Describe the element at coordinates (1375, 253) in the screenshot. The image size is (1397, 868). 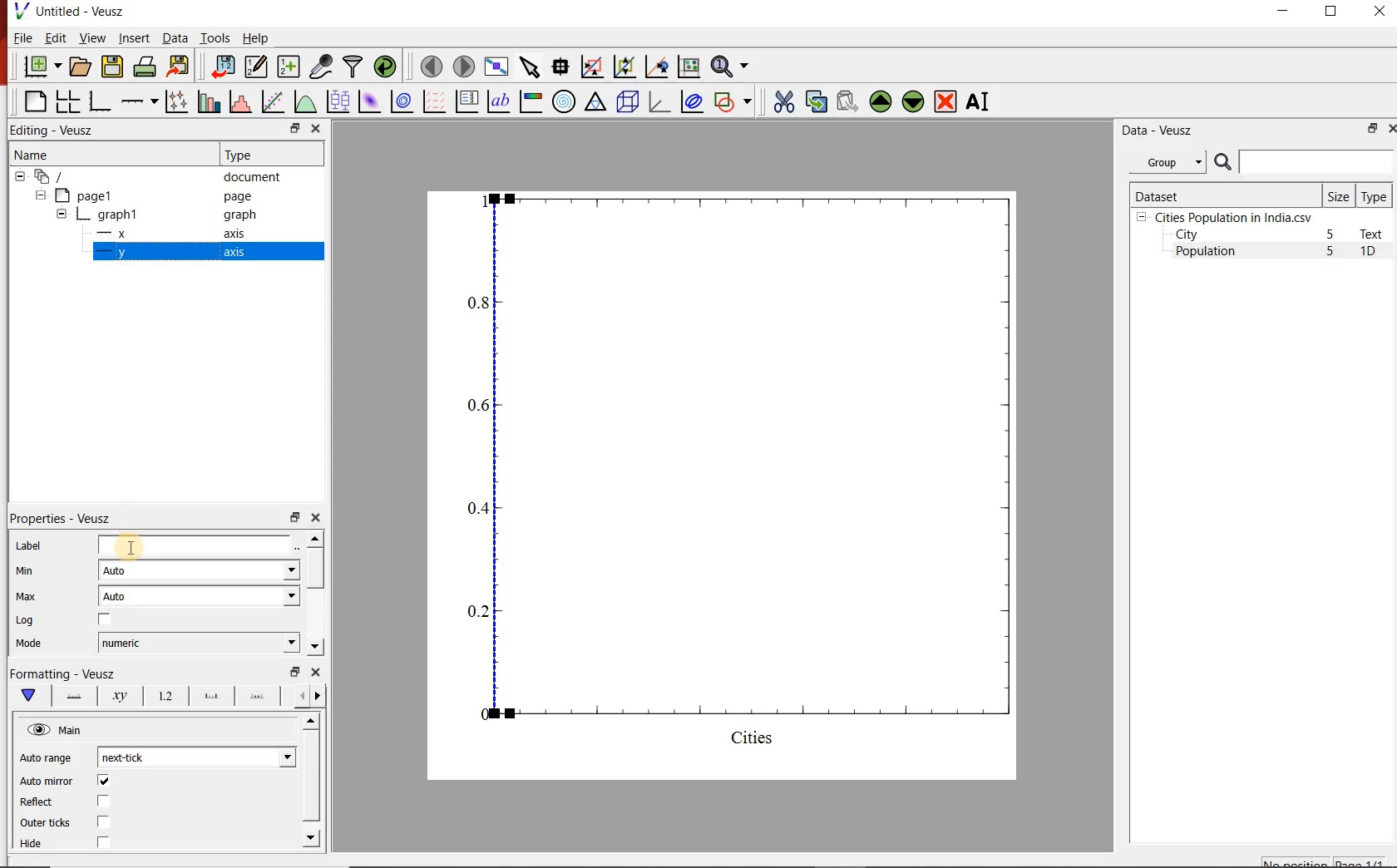
I see `1D` at that location.